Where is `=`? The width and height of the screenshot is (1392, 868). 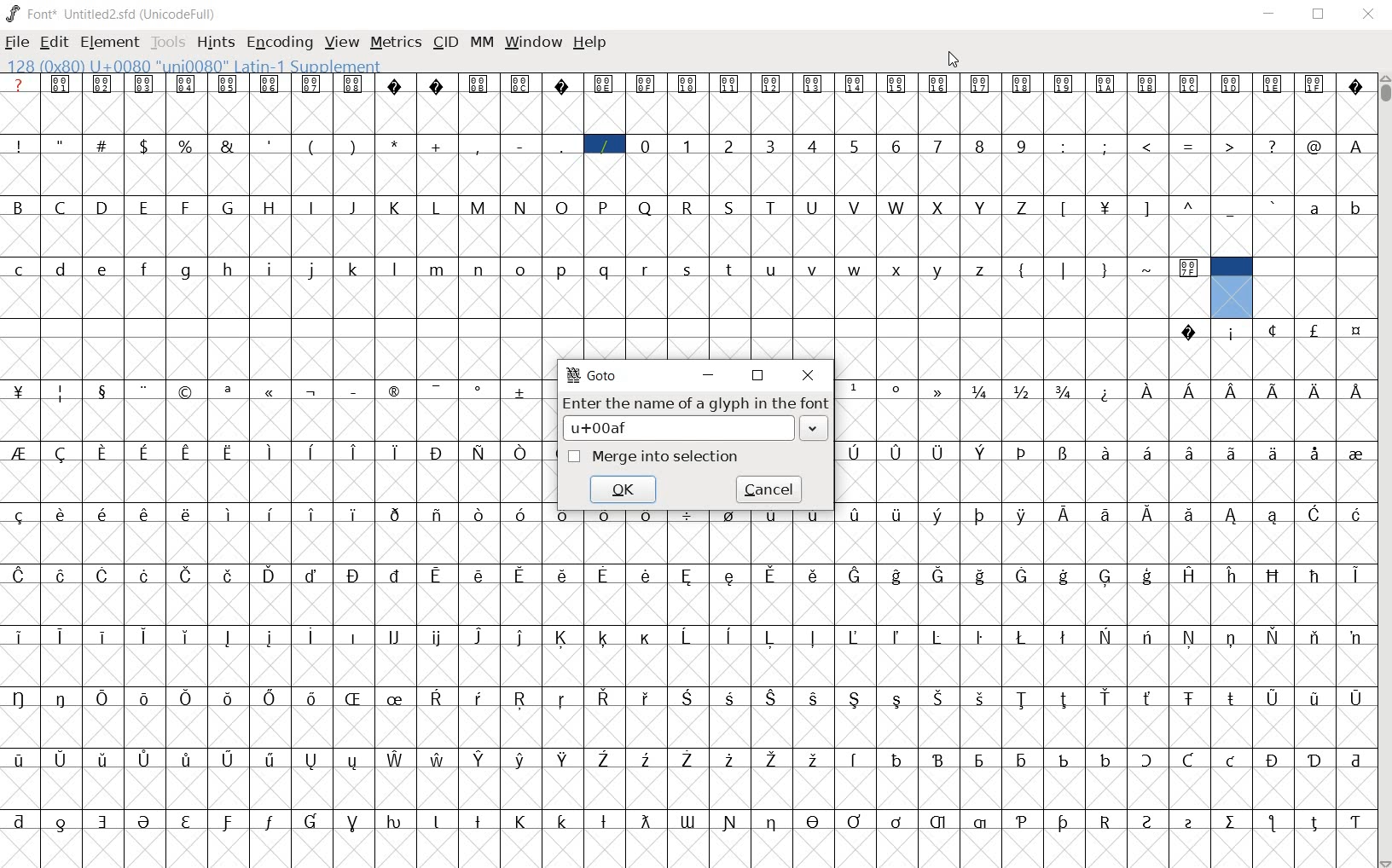 = is located at coordinates (1192, 145).